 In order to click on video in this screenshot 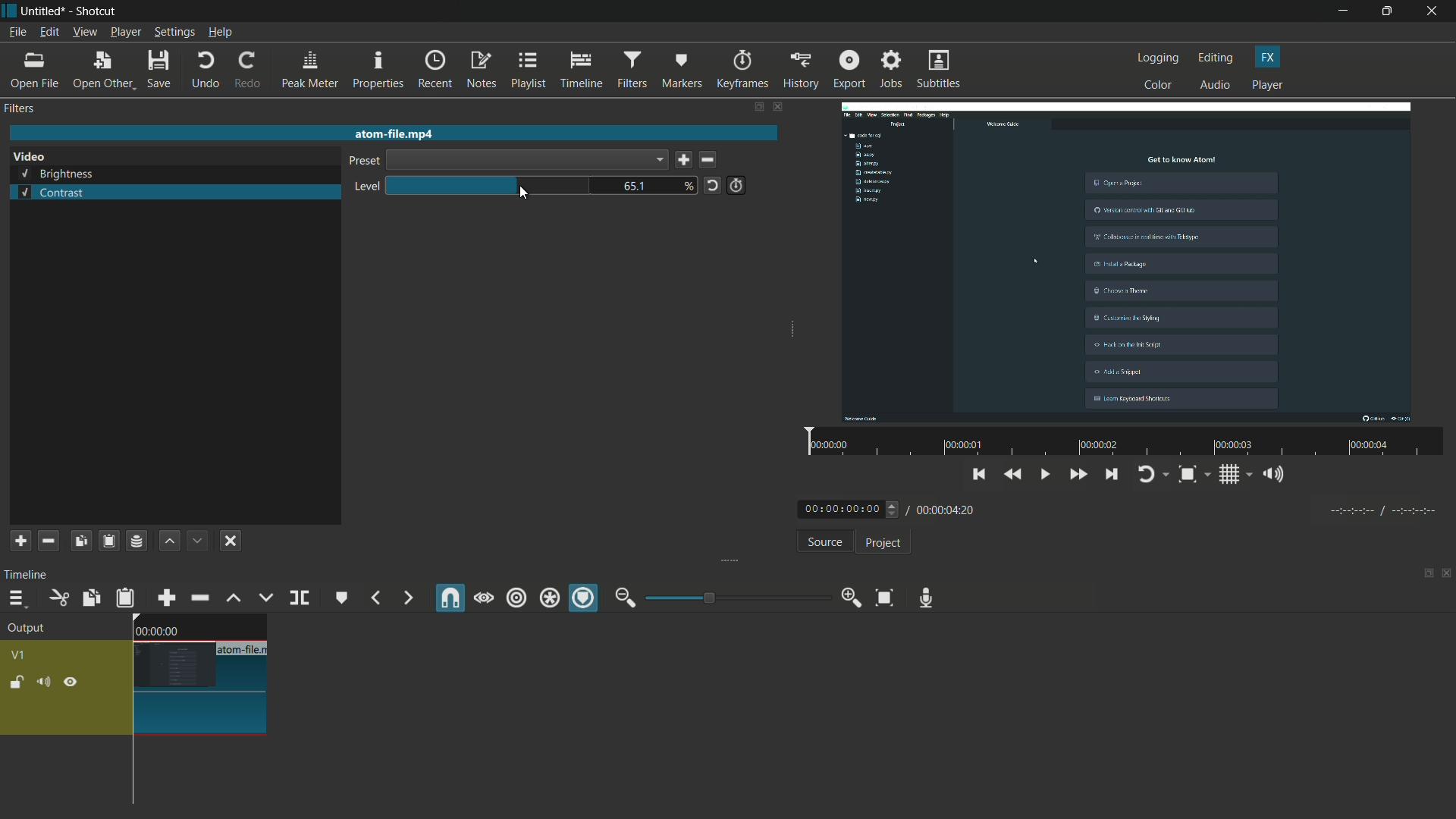, I will do `click(1131, 259)`.